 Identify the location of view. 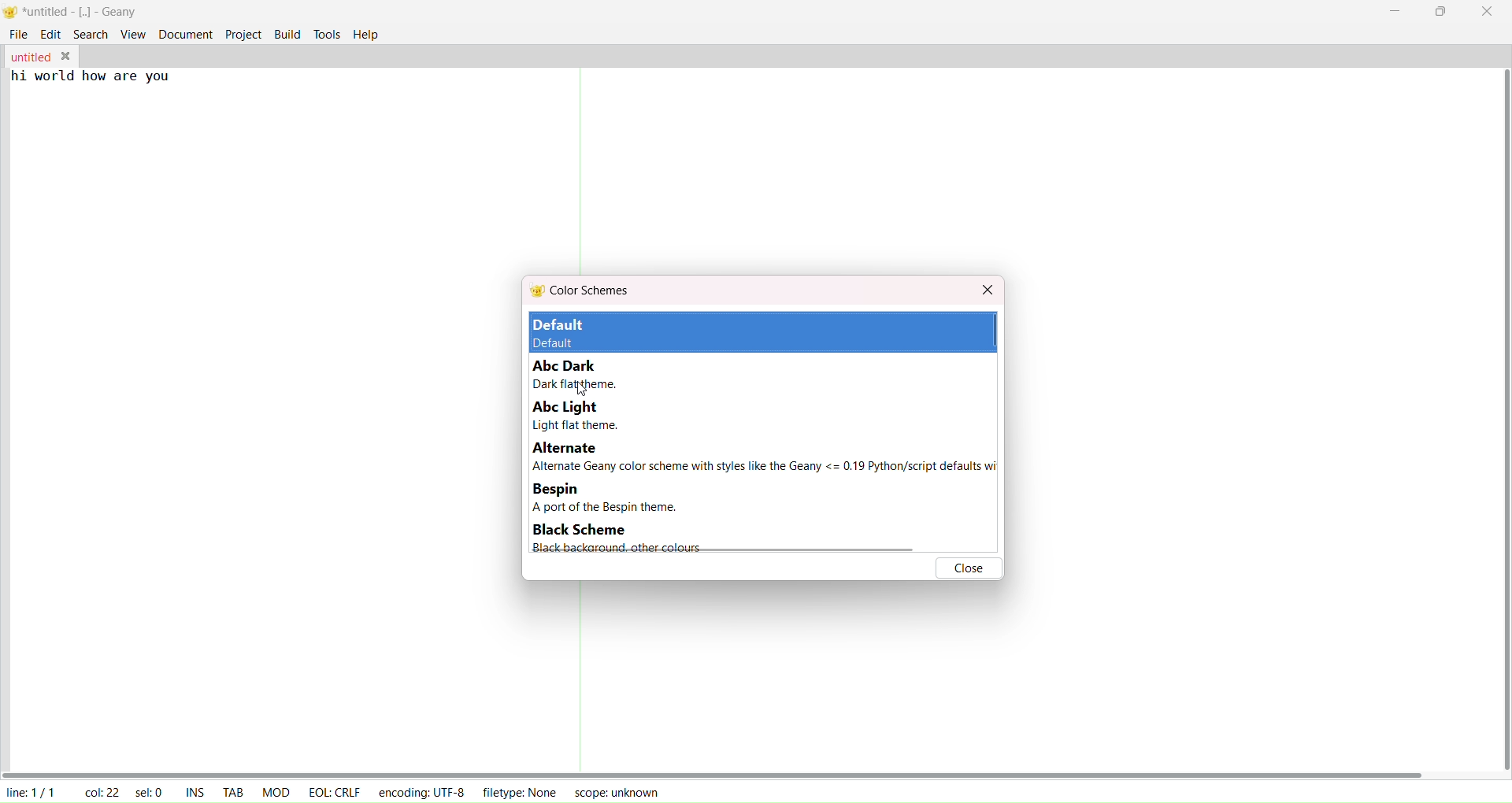
(133, 33).